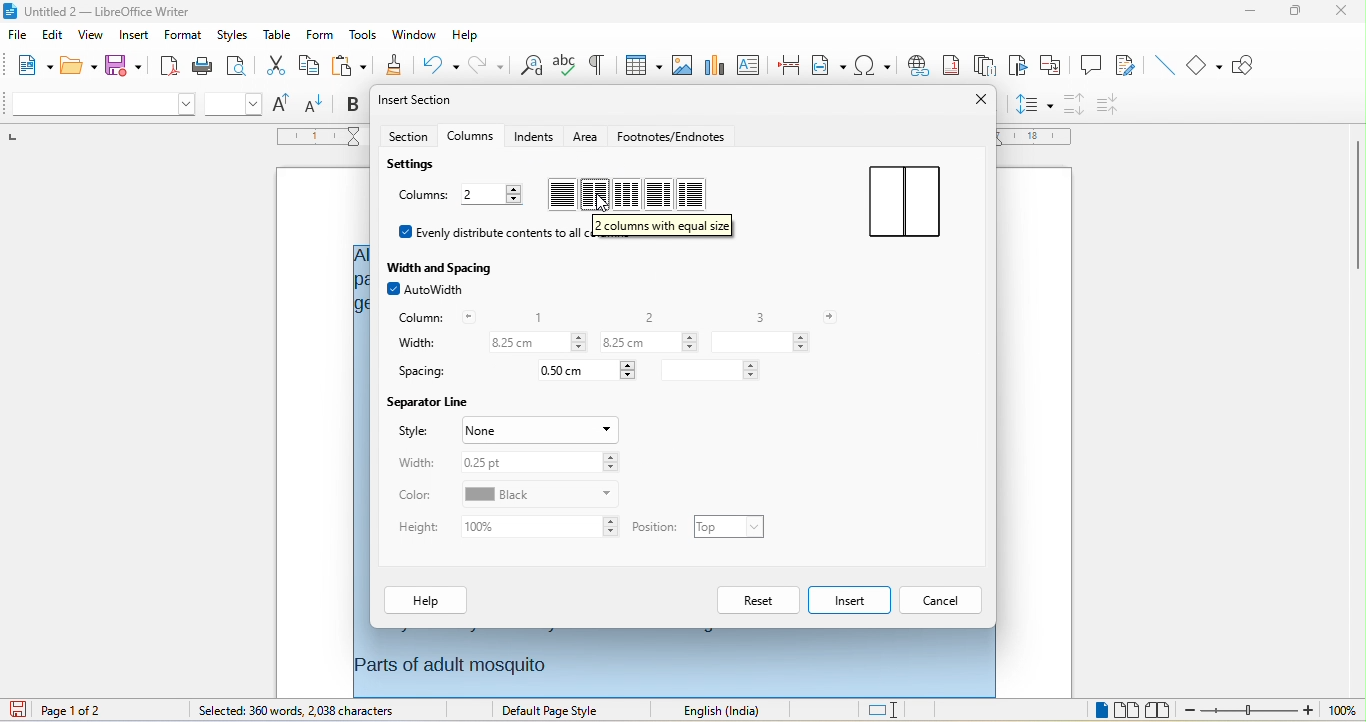  I want to click on table, so click(276, 34).